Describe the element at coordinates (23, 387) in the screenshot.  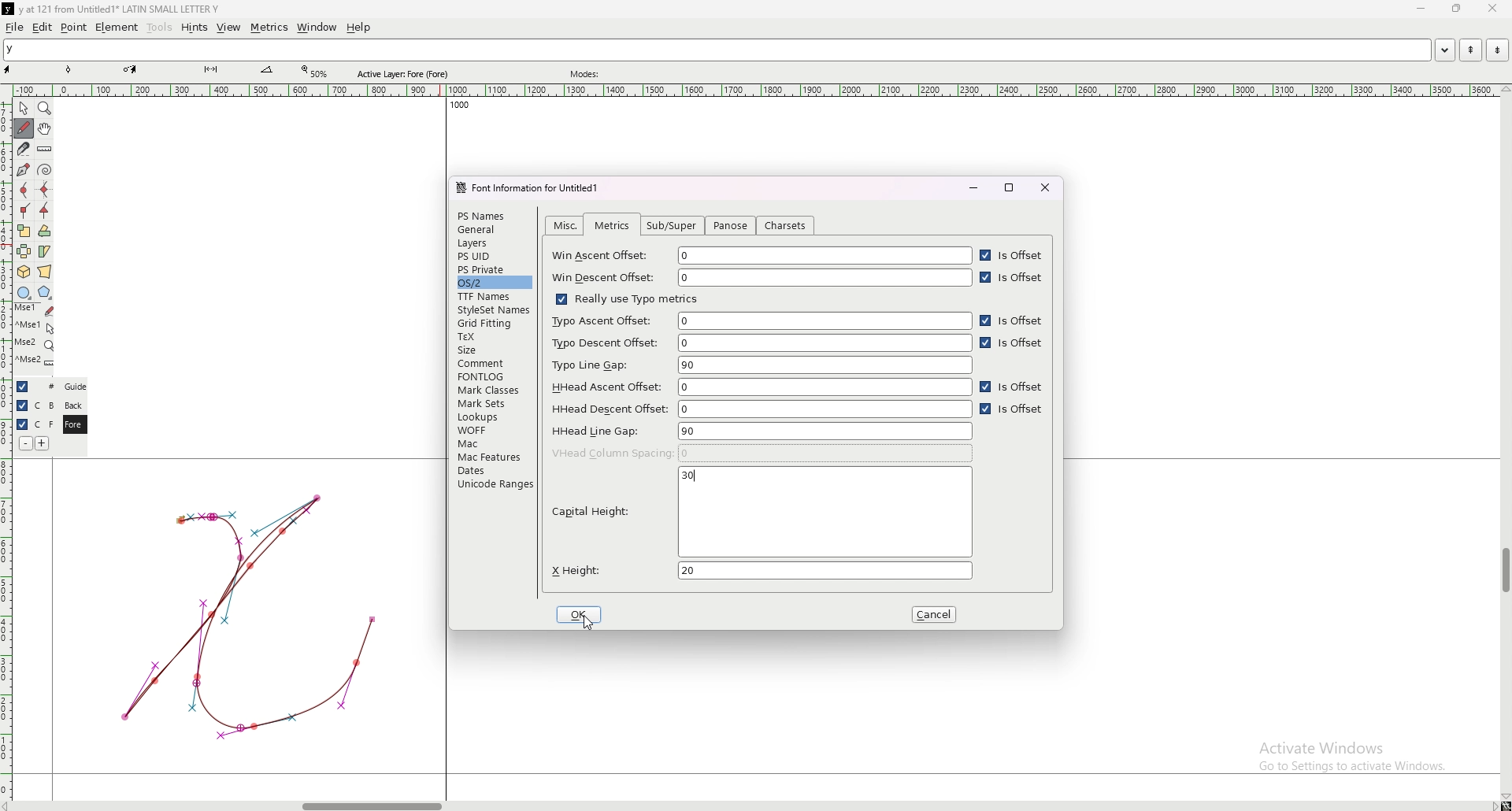
I see `hide layer` at that location.